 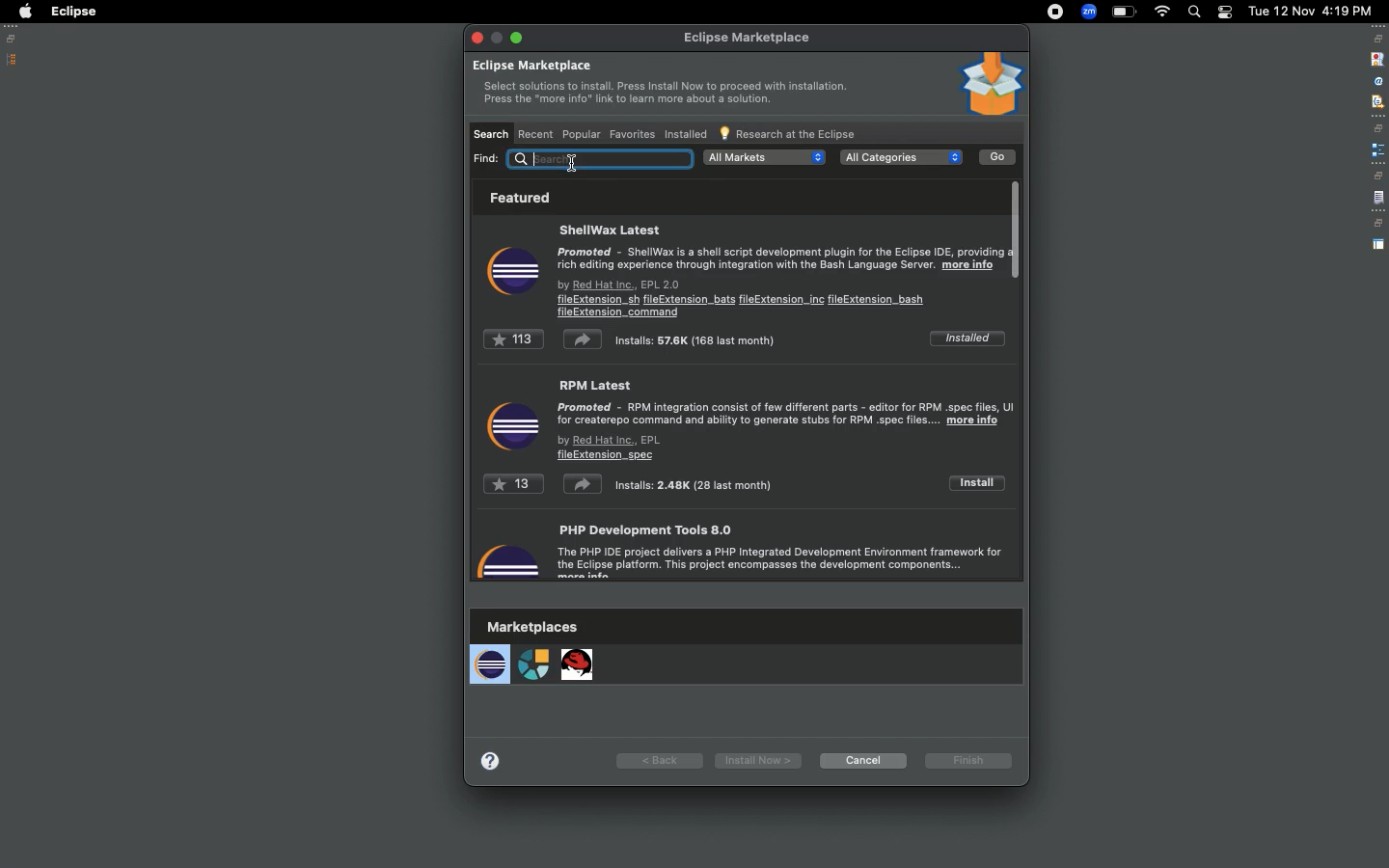 What do you see at coordinates (601, 158) in the screenshot?
I see `` at bounding box center [601, 158].